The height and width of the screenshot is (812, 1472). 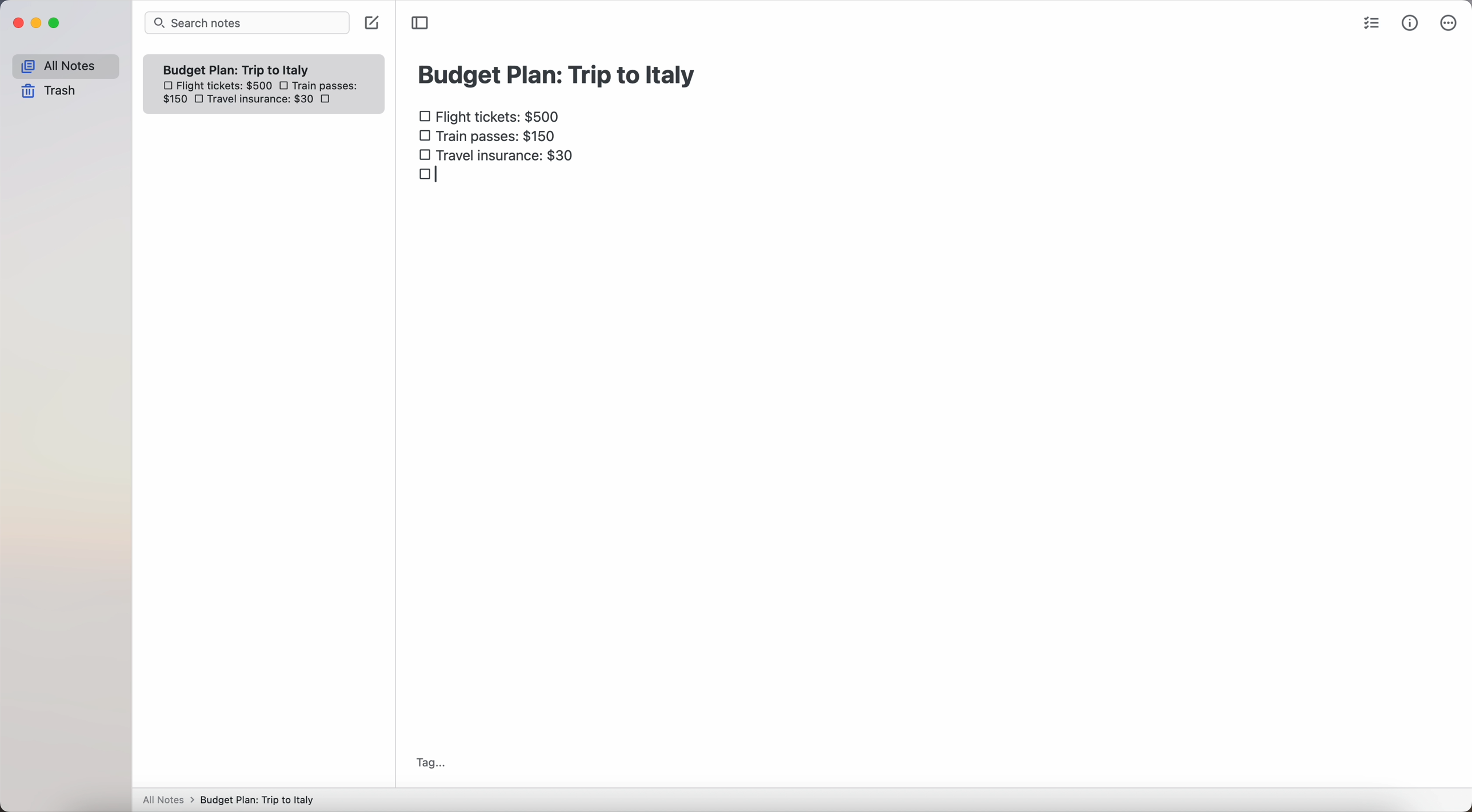 What do you see at coordinates (1375, 25) in the screenshot?
I see `check list` at bounding box center [1375, 25].